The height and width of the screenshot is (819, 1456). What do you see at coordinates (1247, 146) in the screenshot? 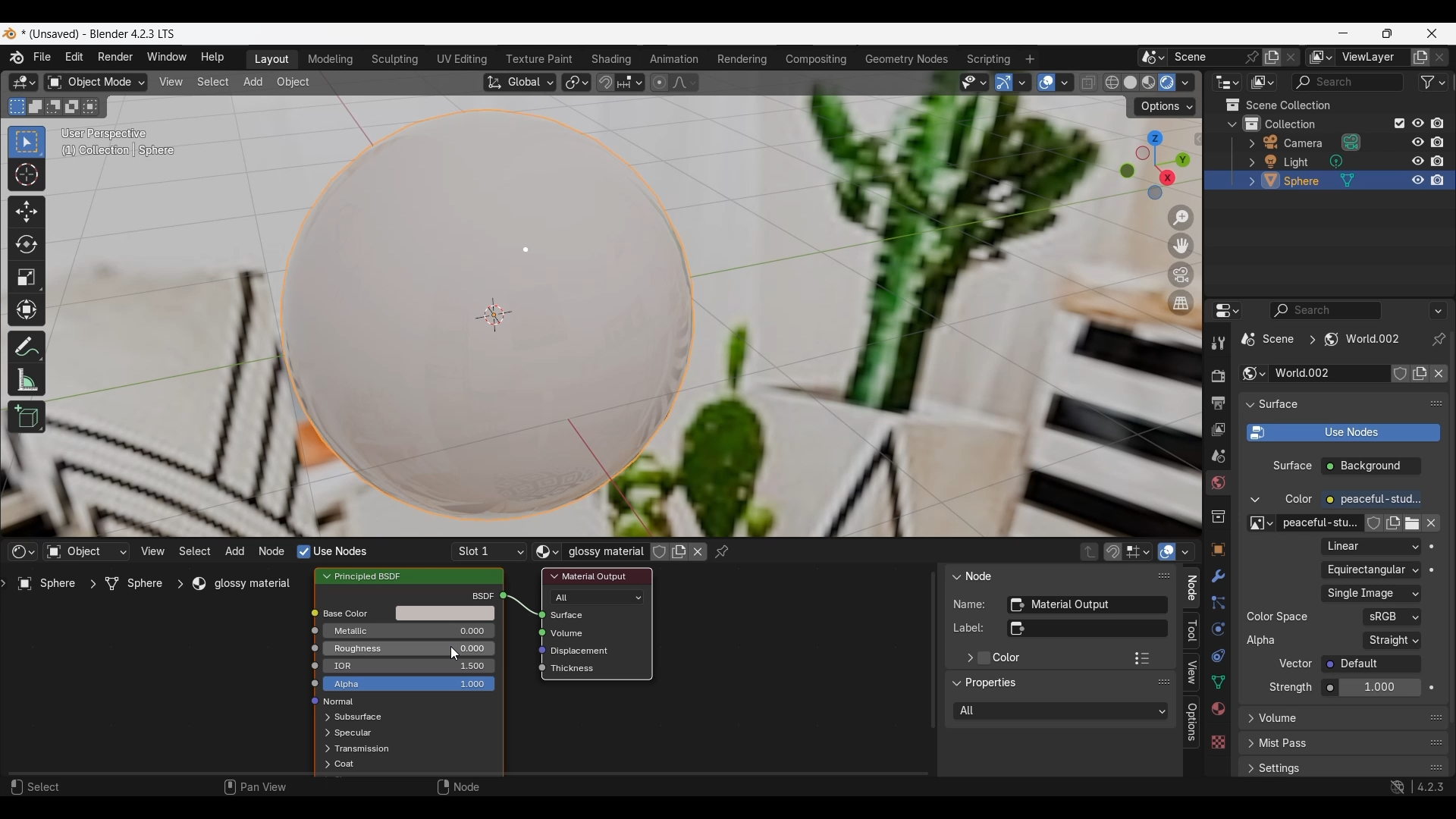
I see `Expand respective scenes` at bounding box center [1247, 146].